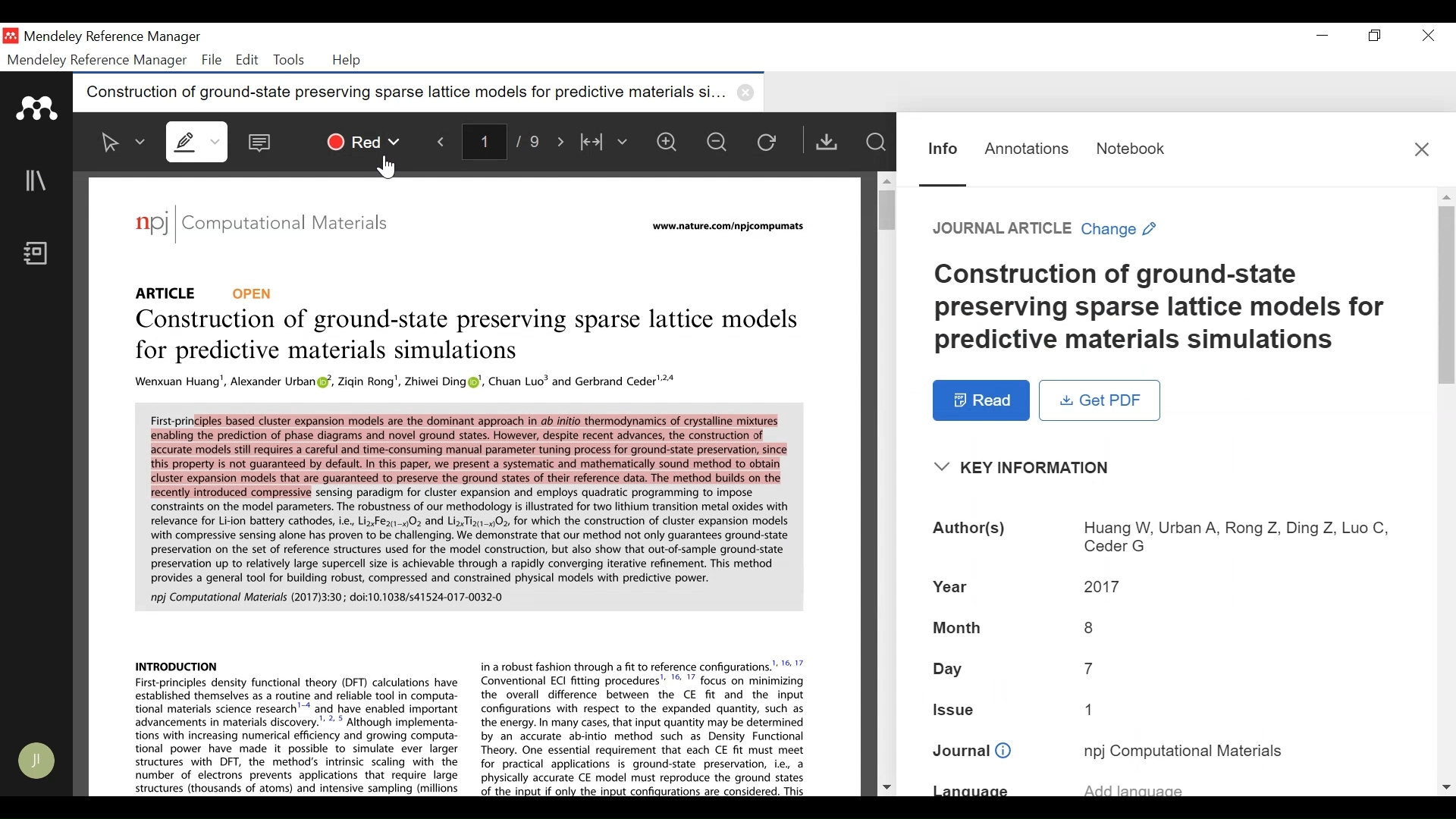  I want to click on Construction of ground-state preserving sparse  lattice models for predictive simulations, so click(466, 333).